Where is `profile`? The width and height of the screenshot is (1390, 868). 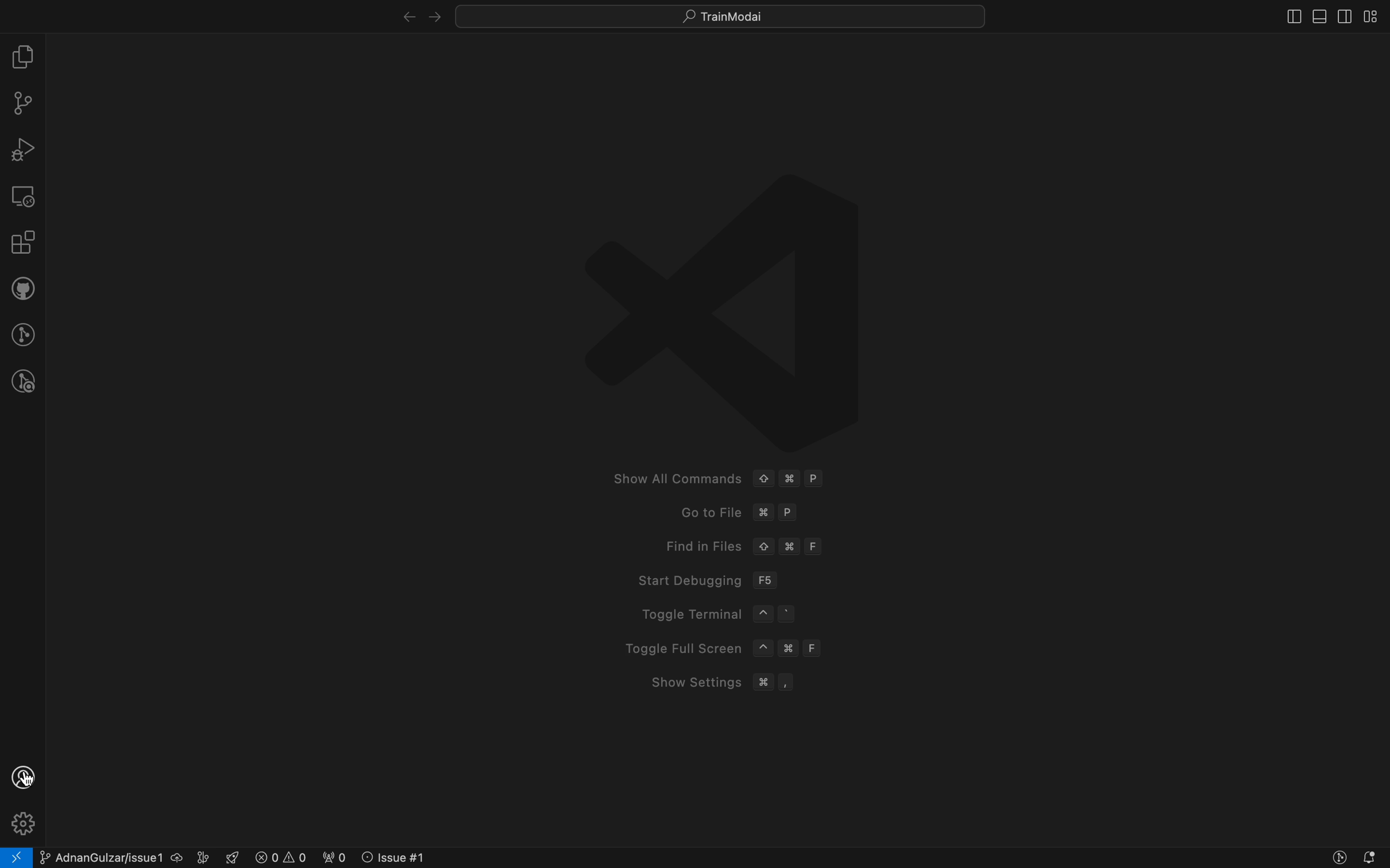
profile is located at coordinates (25, 776).